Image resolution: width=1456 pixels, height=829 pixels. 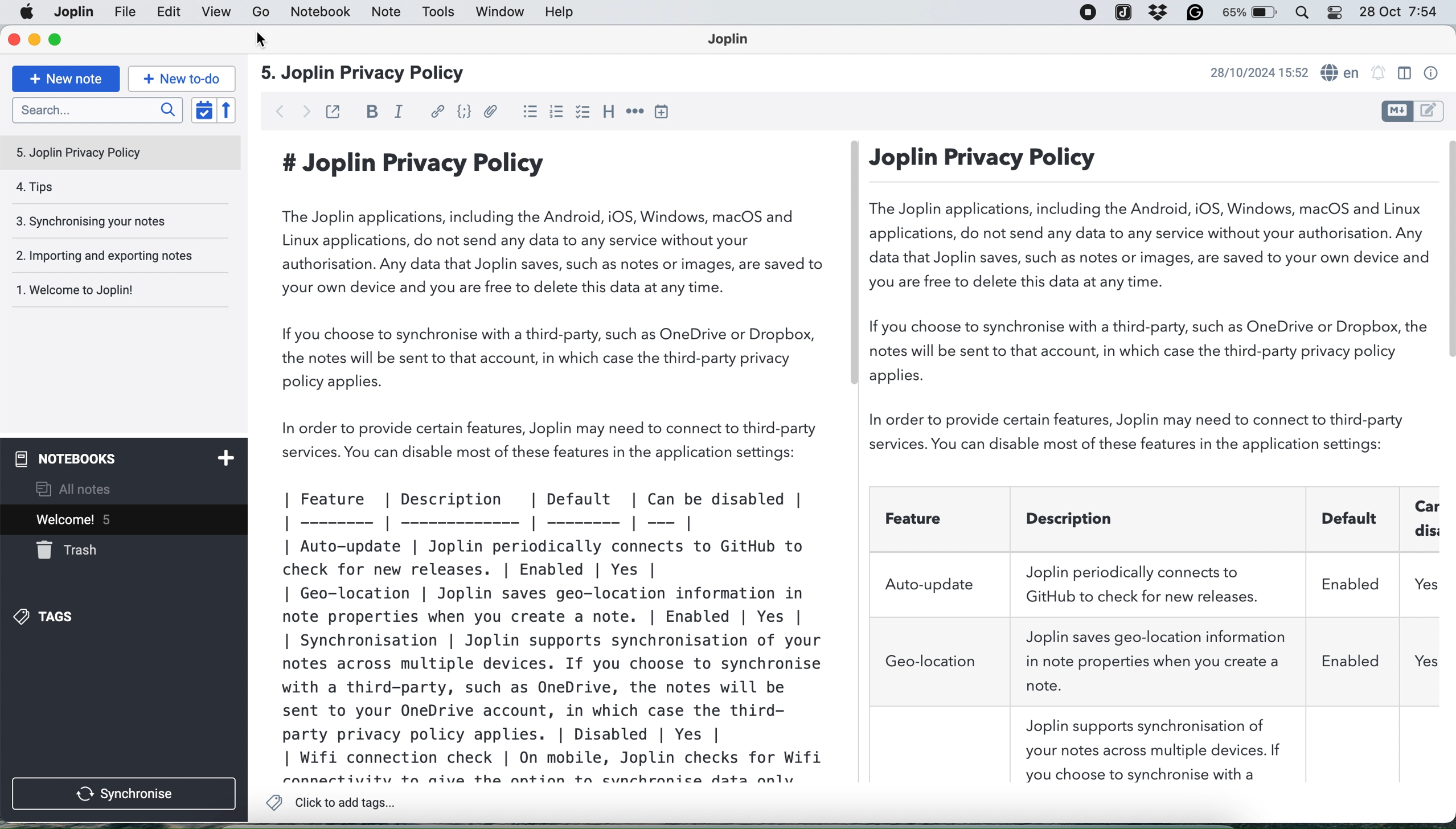 What do you see at coordinates (1404, 73) in the screenshot?
I see `toggle editor layout` at bounding box center [1404, 73].